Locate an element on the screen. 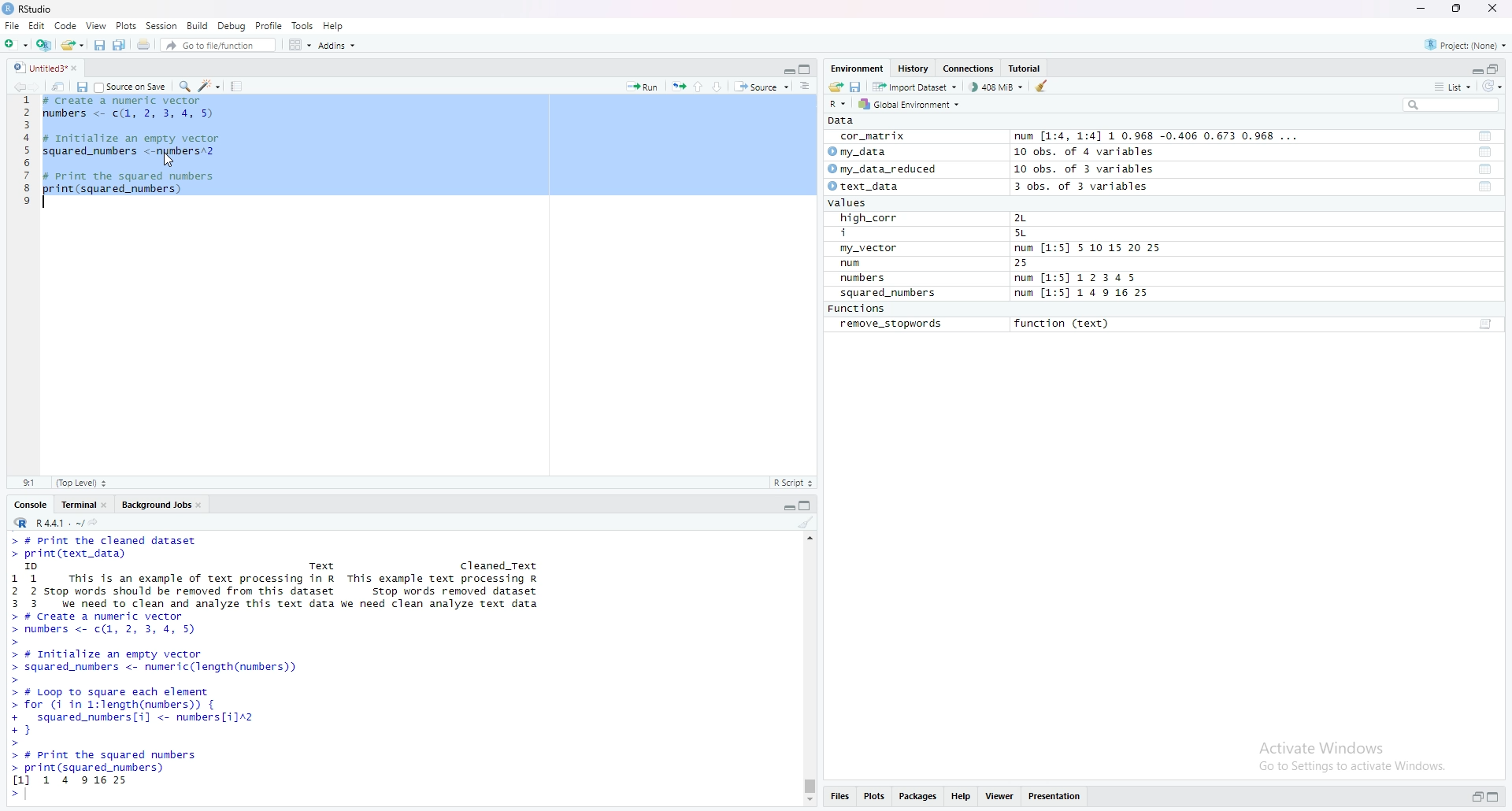 The height and width of the screenshot is (811, 1512). code tools is located at coordinates (209, 85).